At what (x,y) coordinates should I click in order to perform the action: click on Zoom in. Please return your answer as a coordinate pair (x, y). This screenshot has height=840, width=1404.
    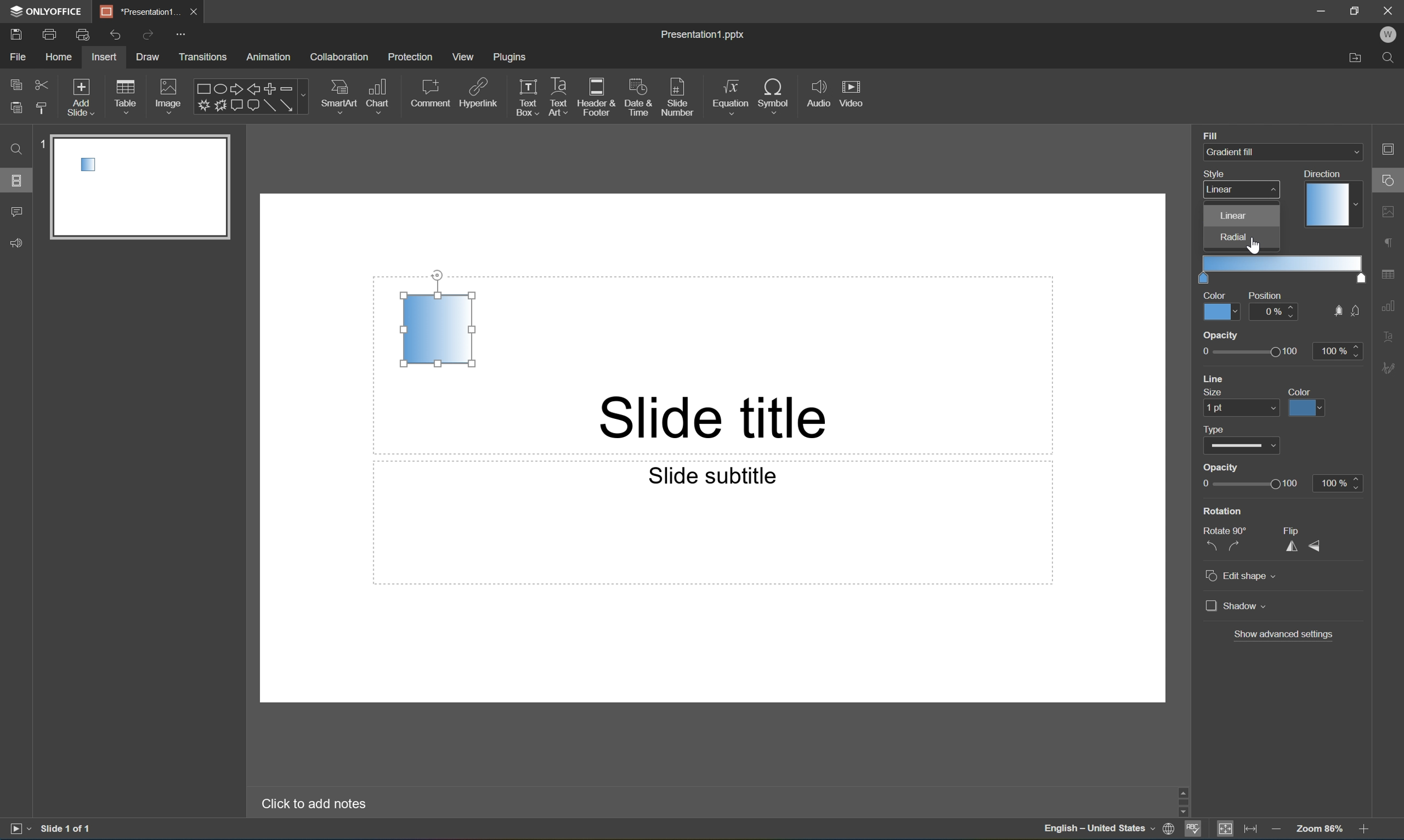
    Looking at the image, I should click on (1367, 829).